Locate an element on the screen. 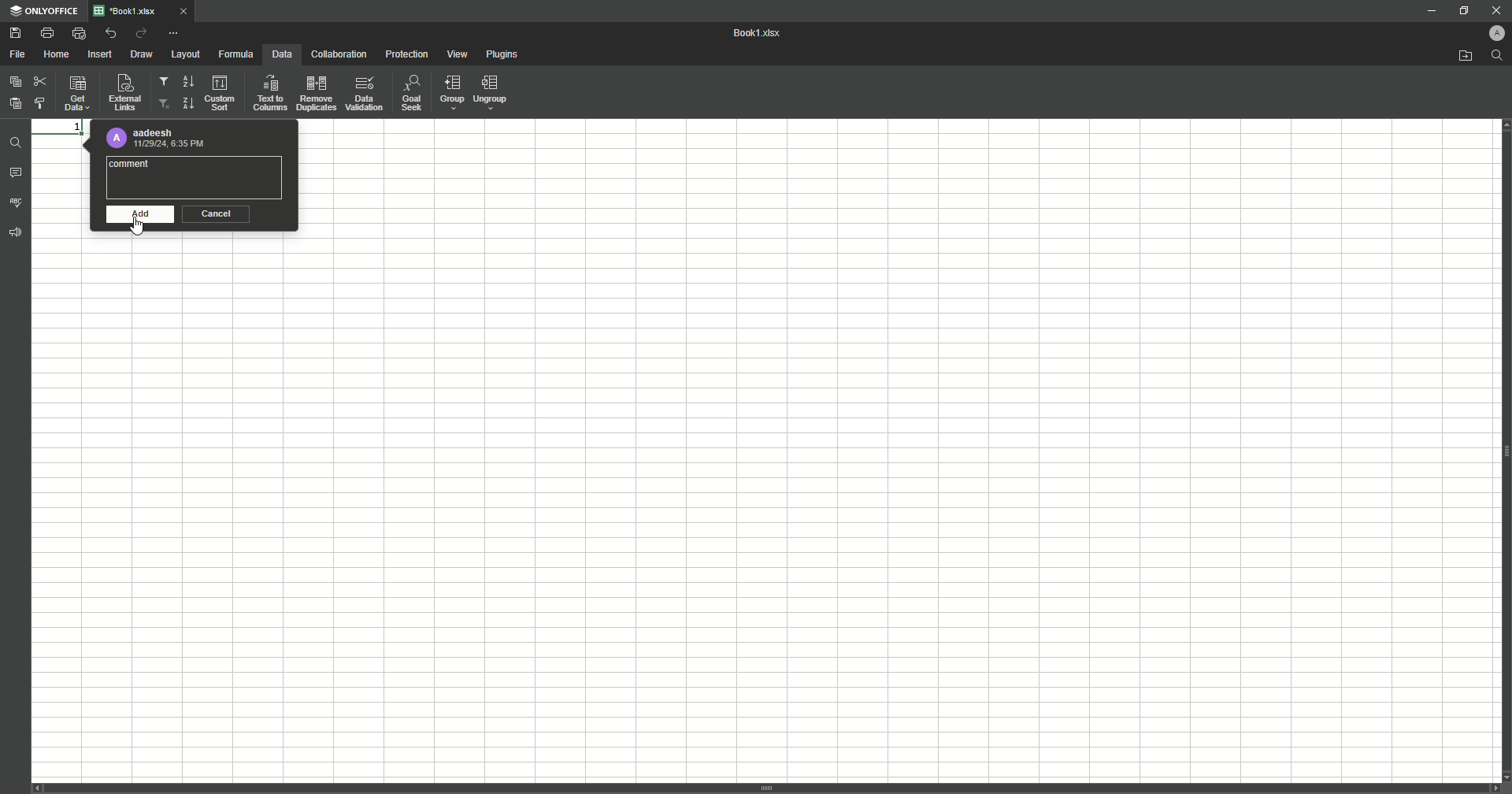  1 is located at coordinates (57, 125).